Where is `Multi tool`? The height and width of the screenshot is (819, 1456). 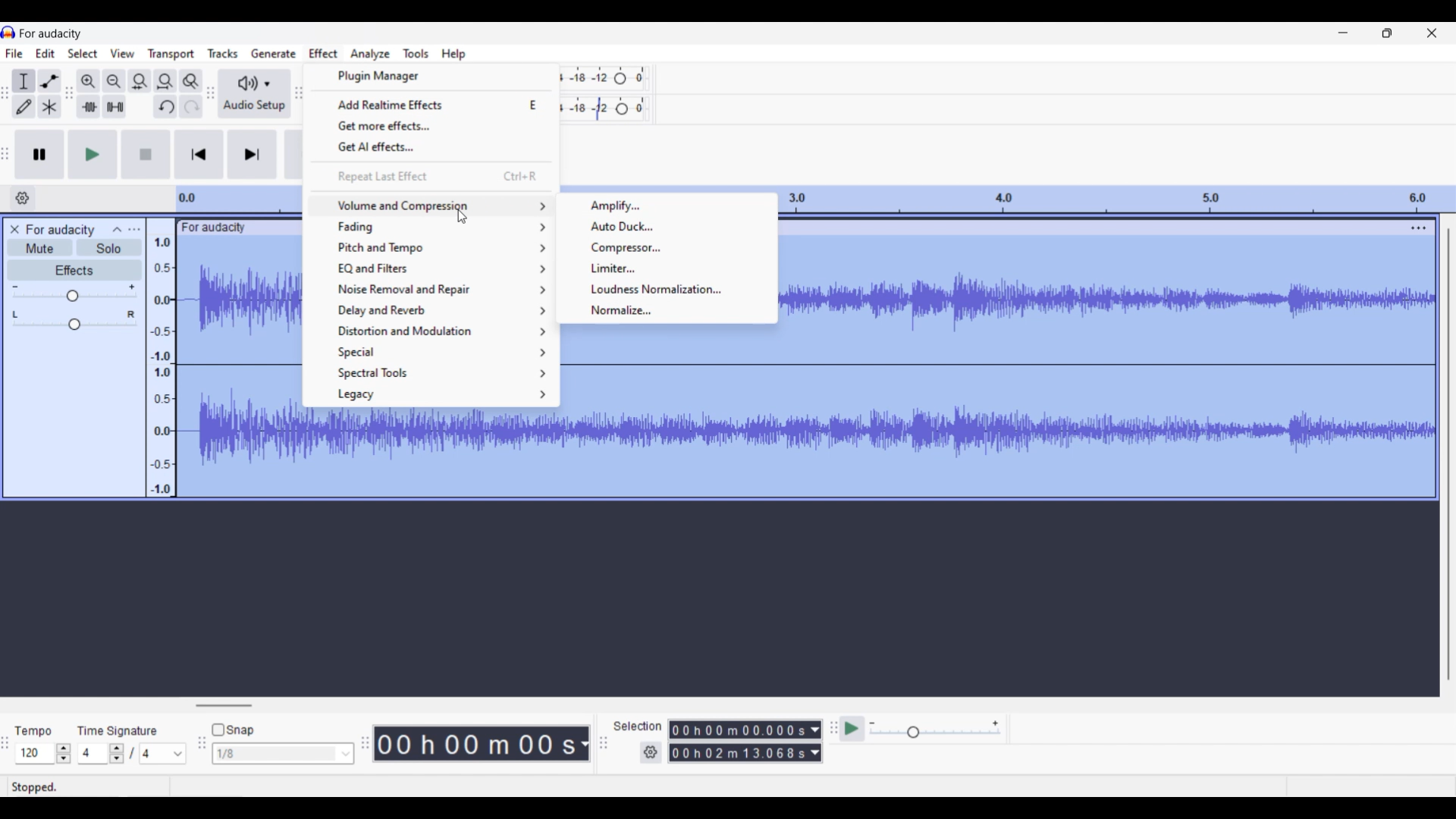 Multi tool is located at coordinates (49, 106).